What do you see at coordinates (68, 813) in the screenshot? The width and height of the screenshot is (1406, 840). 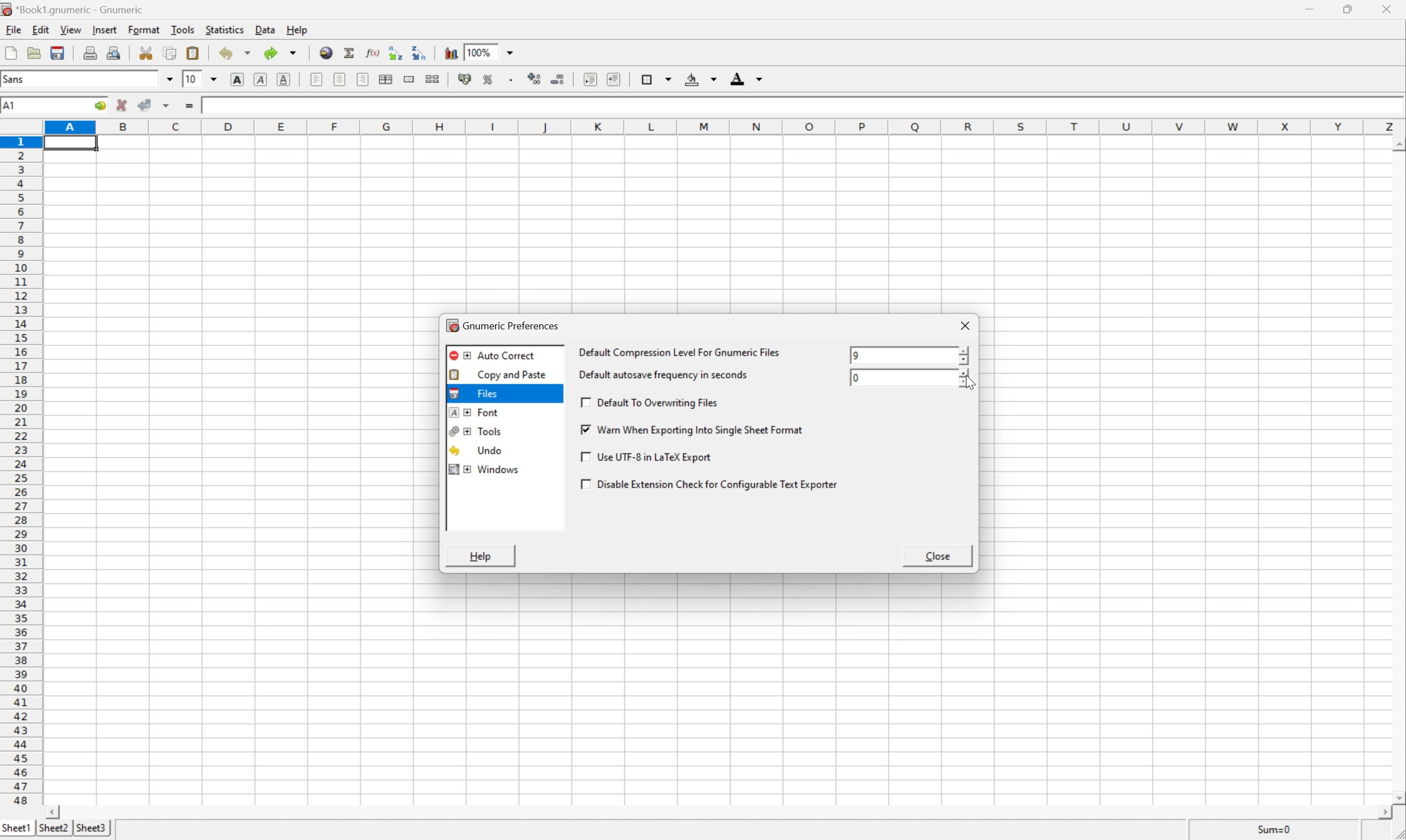 I see `scroll left` at bounding box center [68, 813].